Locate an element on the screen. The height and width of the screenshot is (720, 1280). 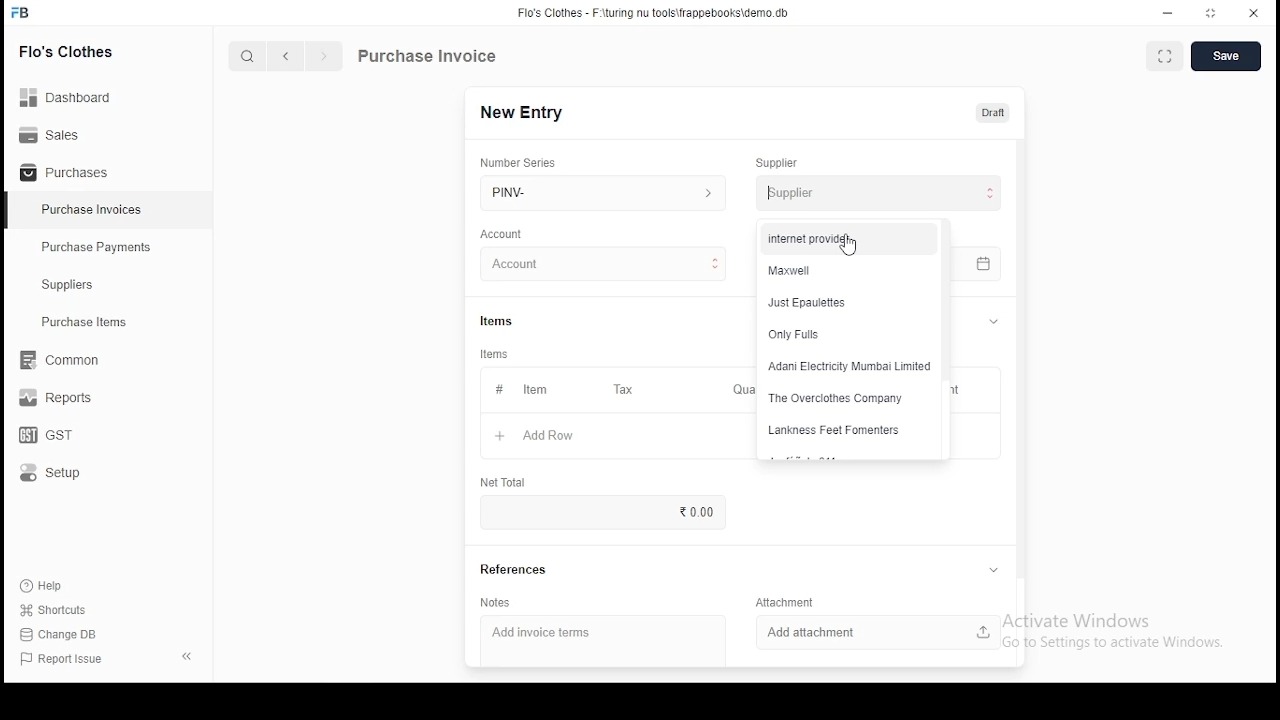
# is located at coordinates (499, 391).